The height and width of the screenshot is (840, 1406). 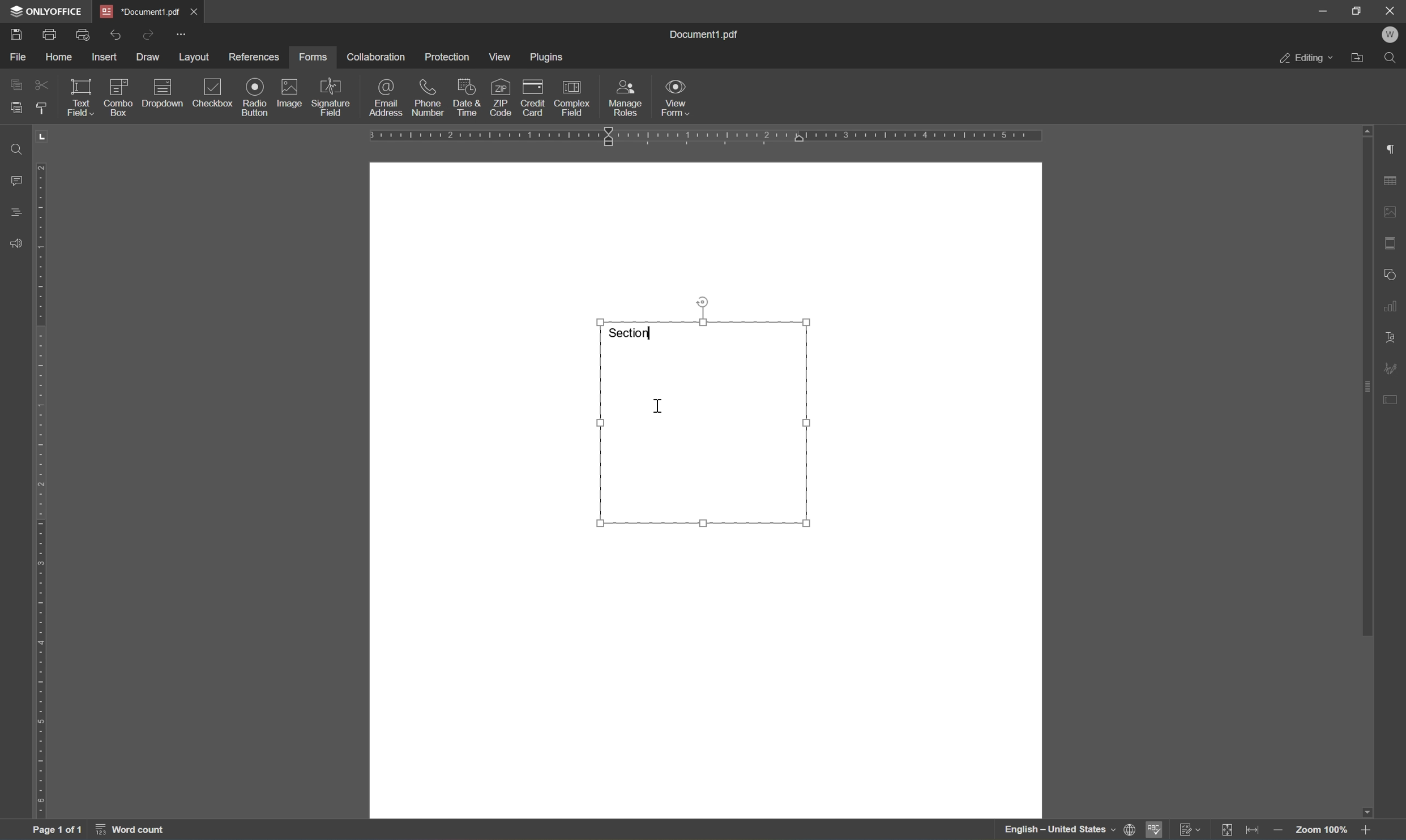 I want to click on W, so click(x=1392, y=36).